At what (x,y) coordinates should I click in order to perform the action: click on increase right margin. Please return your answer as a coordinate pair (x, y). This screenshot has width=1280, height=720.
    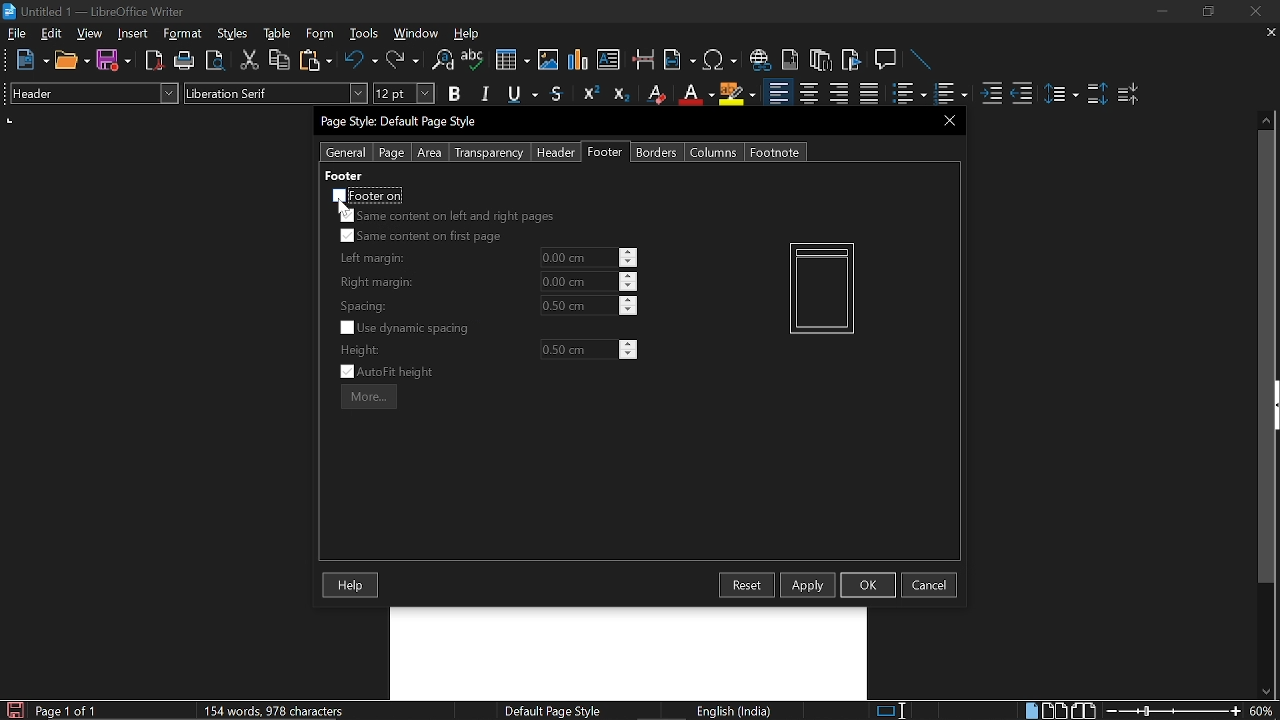
    Looking at the image, I should click on (629, 276).